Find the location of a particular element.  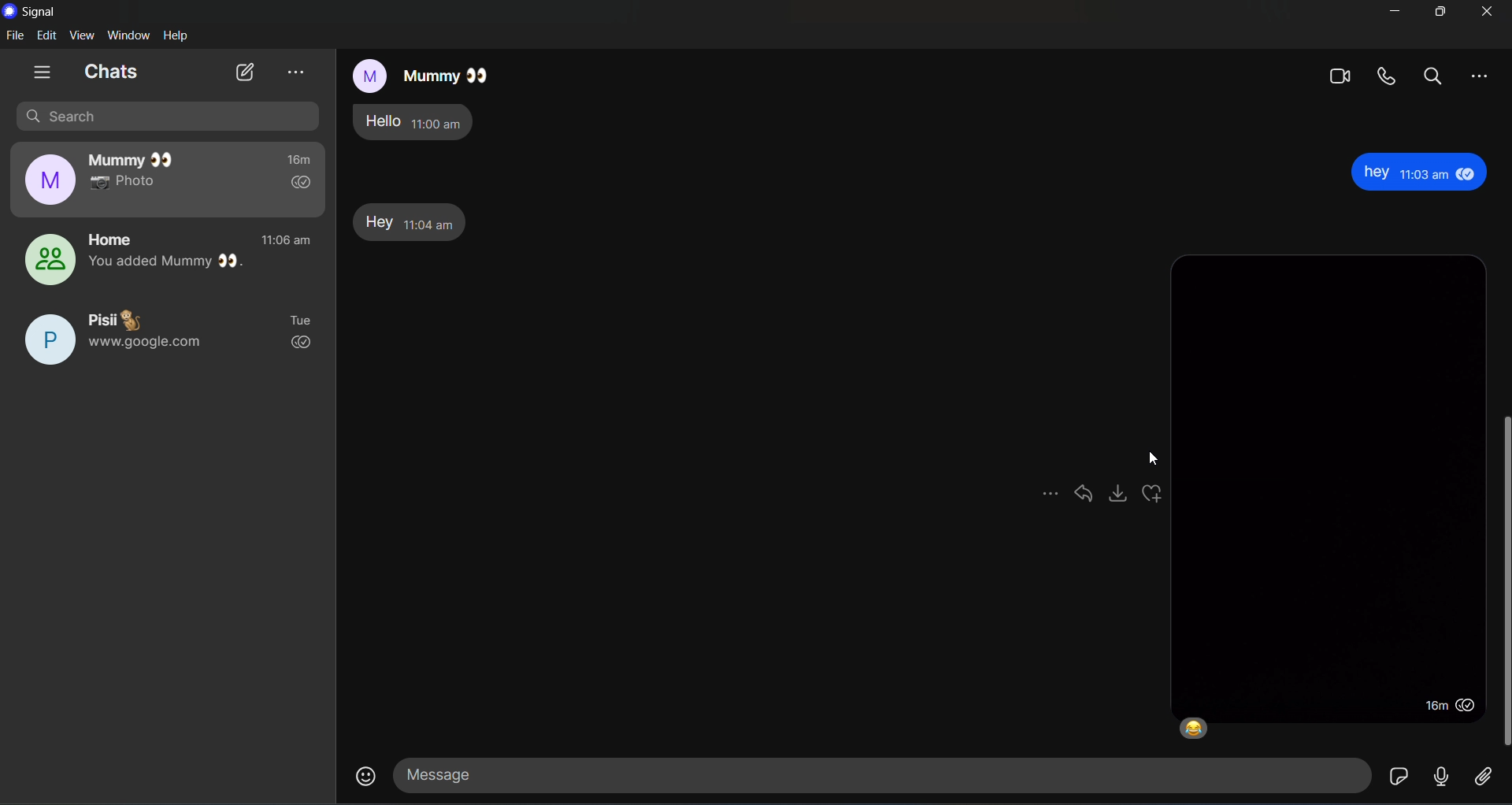

video calls is located at coordinates (1340, 76).